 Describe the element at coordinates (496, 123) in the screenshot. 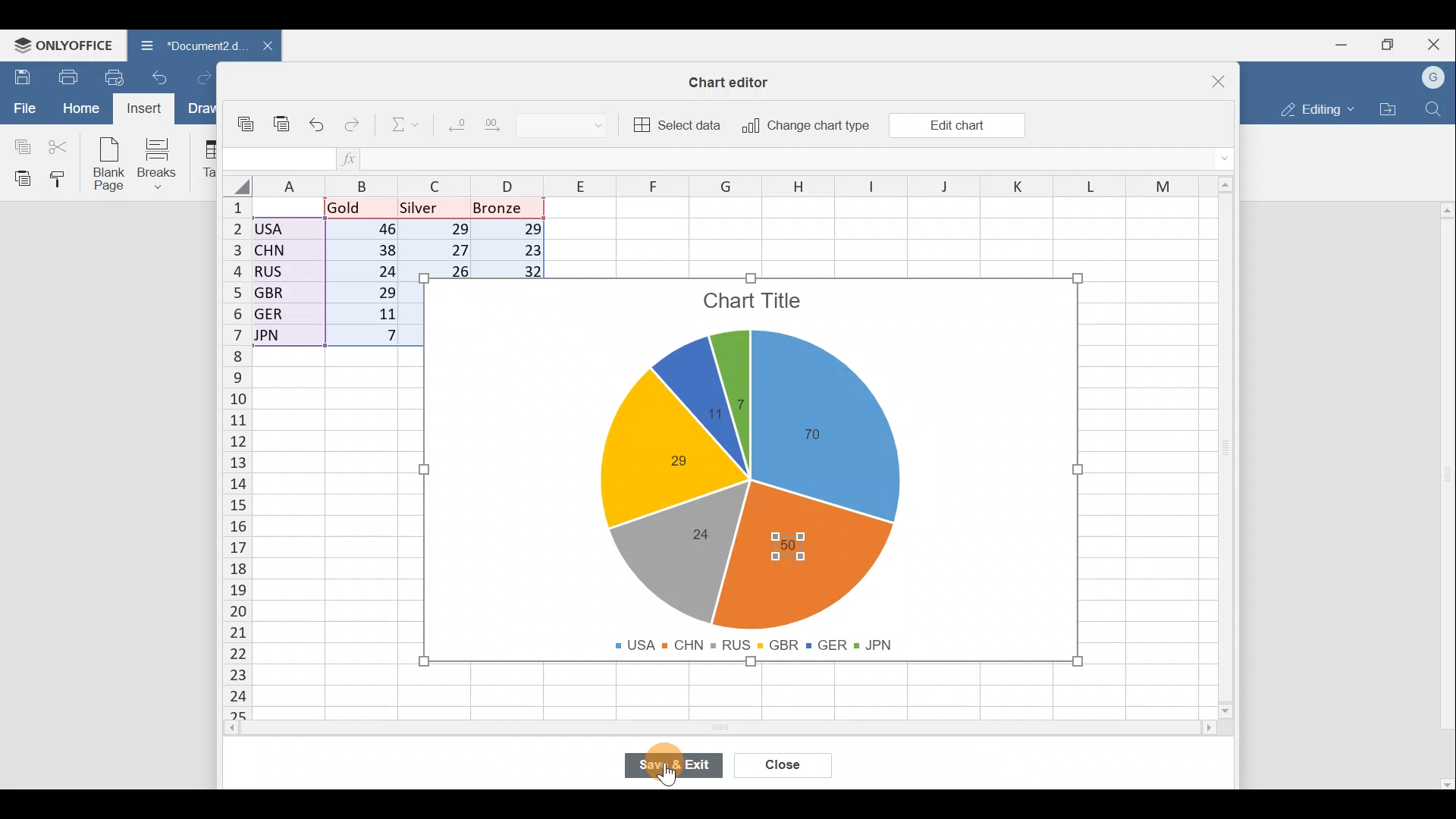

I see `Increase decimal` at that location.